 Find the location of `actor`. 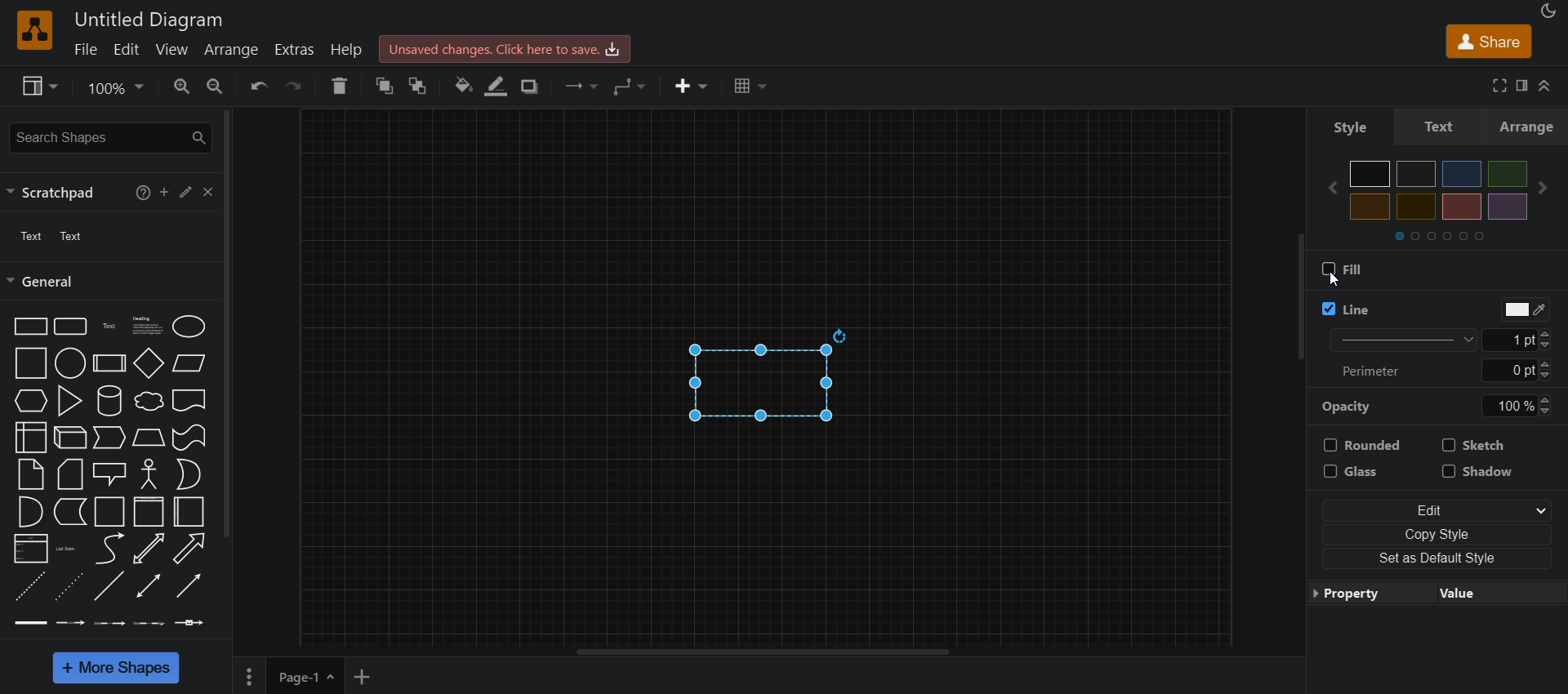

actor is located at coordinates (149, 474).